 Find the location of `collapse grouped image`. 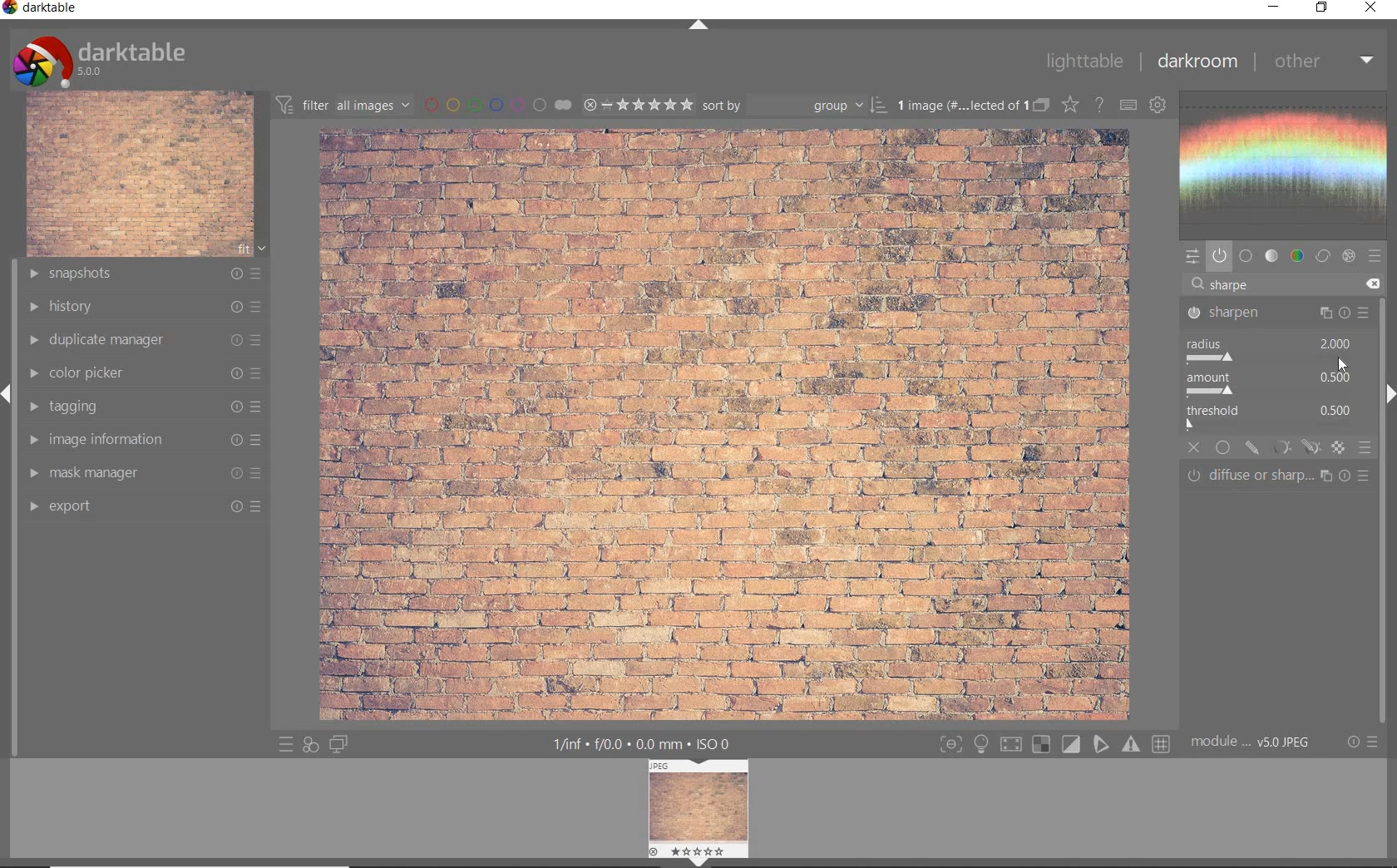

collapse grouped image is located at coordinates (1040, 106).